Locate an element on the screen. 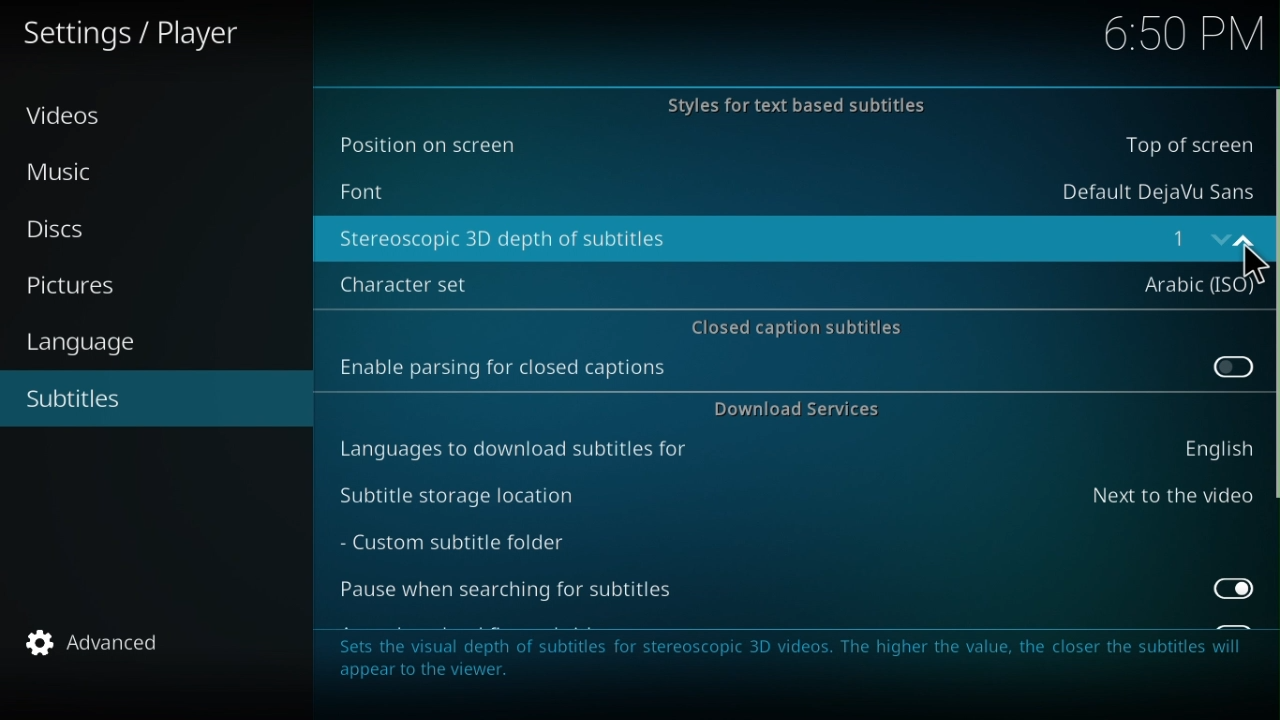  Styles for the text based subtitles is located at coordinates (787, 106).